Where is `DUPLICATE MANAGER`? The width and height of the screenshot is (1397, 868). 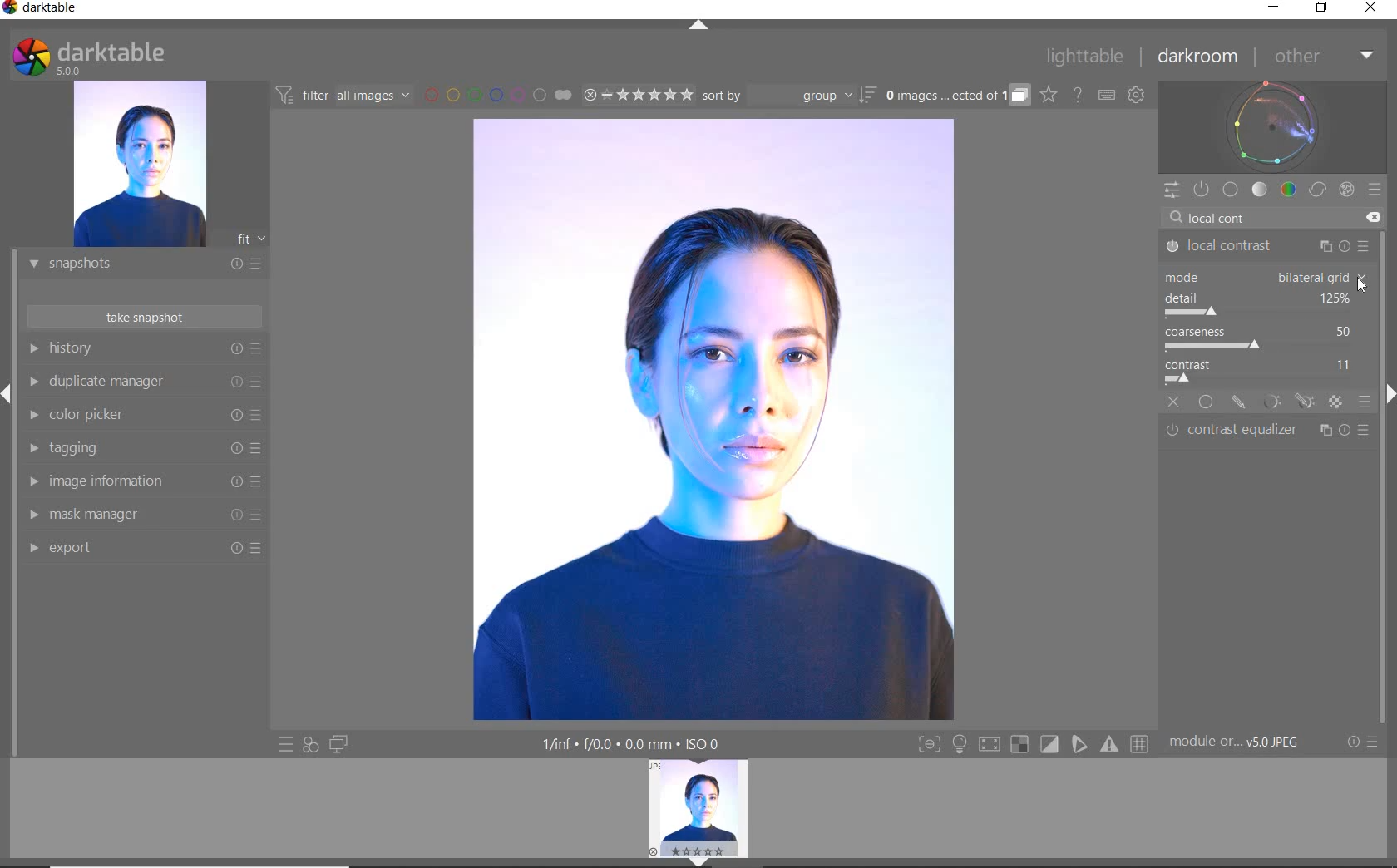
DUPLICATE MANAGER is located at coordinates (143, 382).